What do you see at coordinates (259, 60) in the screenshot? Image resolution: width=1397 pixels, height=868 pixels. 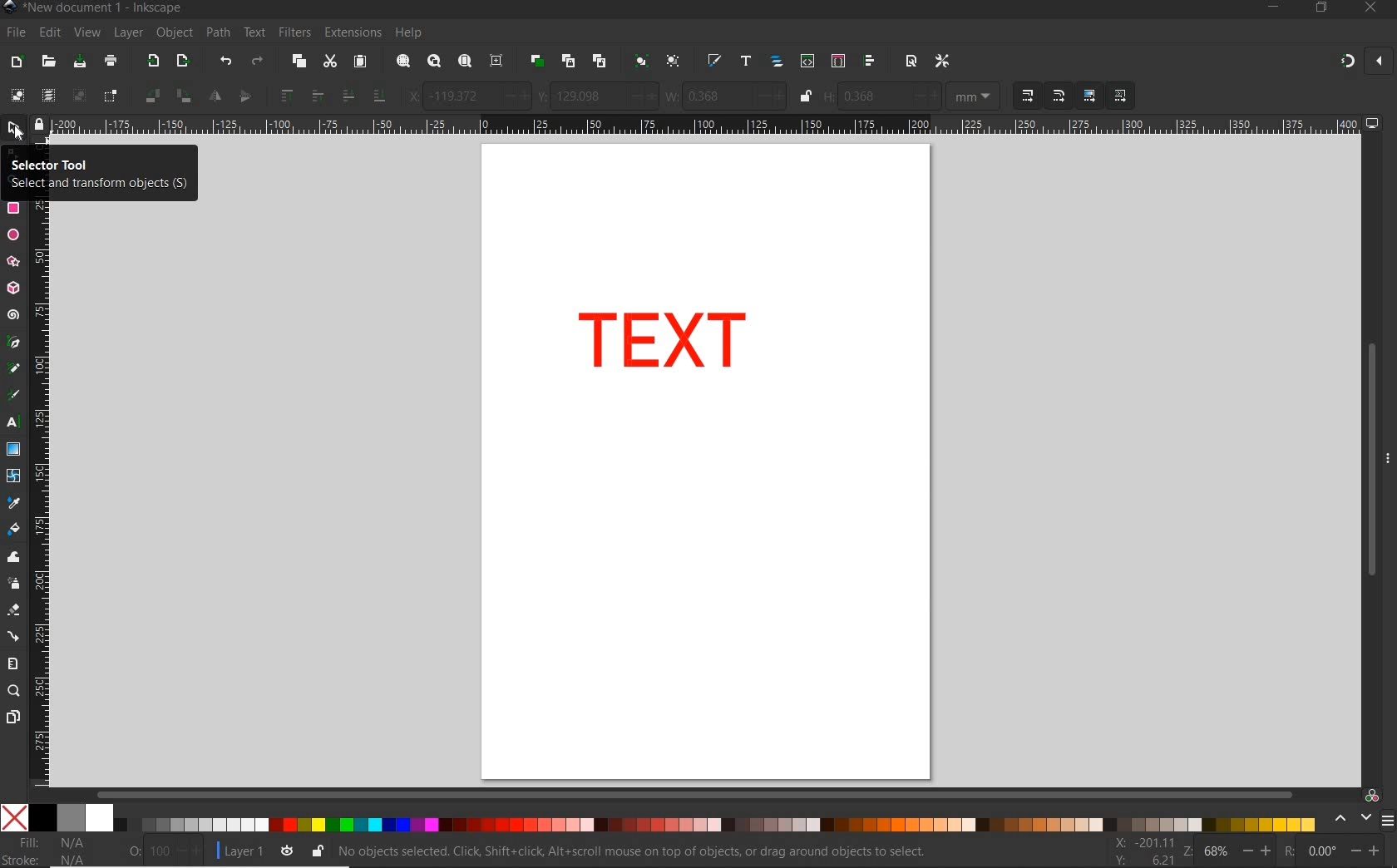 I see `REDO` at bounding box center [259, 60].